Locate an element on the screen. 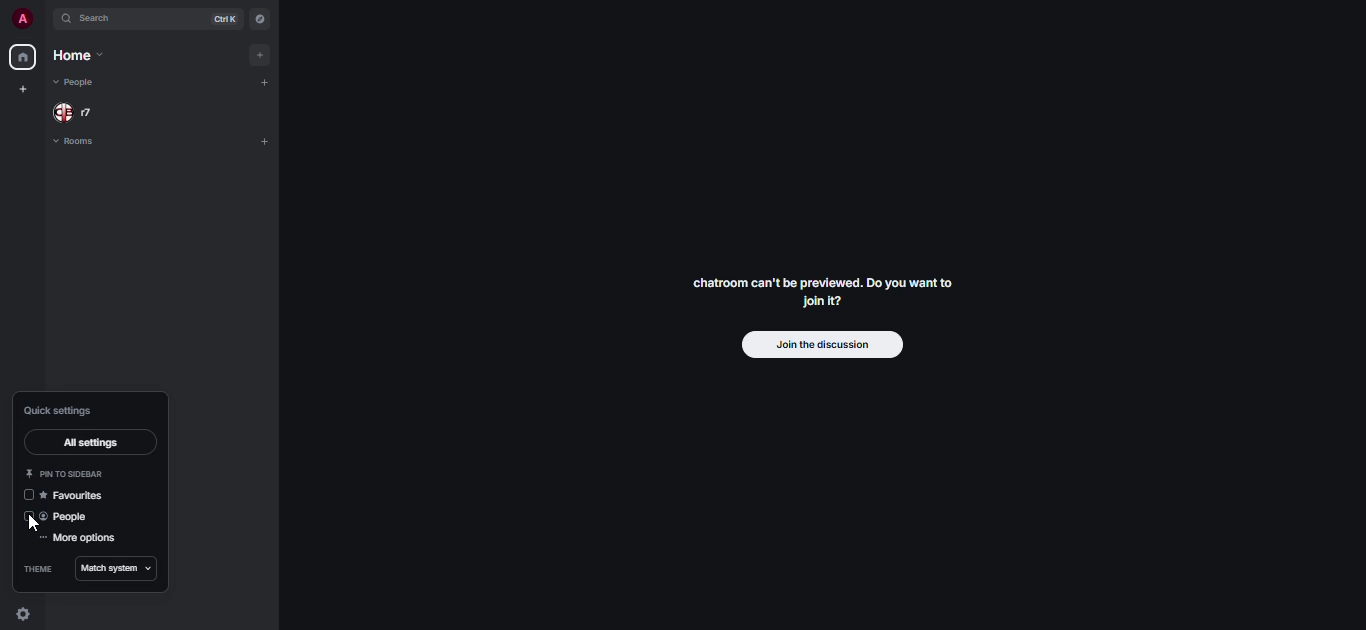  people is located at coordinates (74, 81).